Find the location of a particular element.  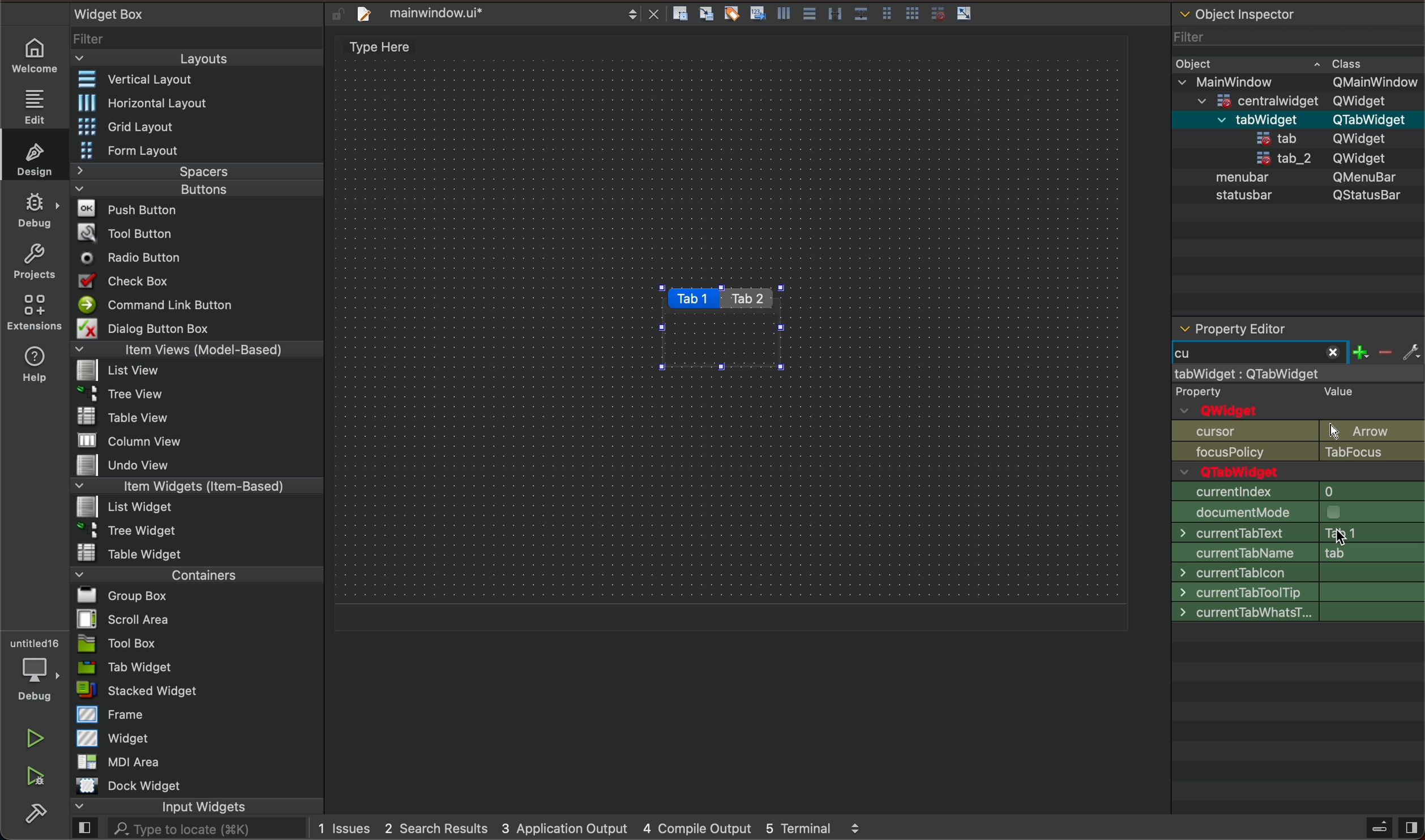

property editor is located at coordinates (1286, 326).